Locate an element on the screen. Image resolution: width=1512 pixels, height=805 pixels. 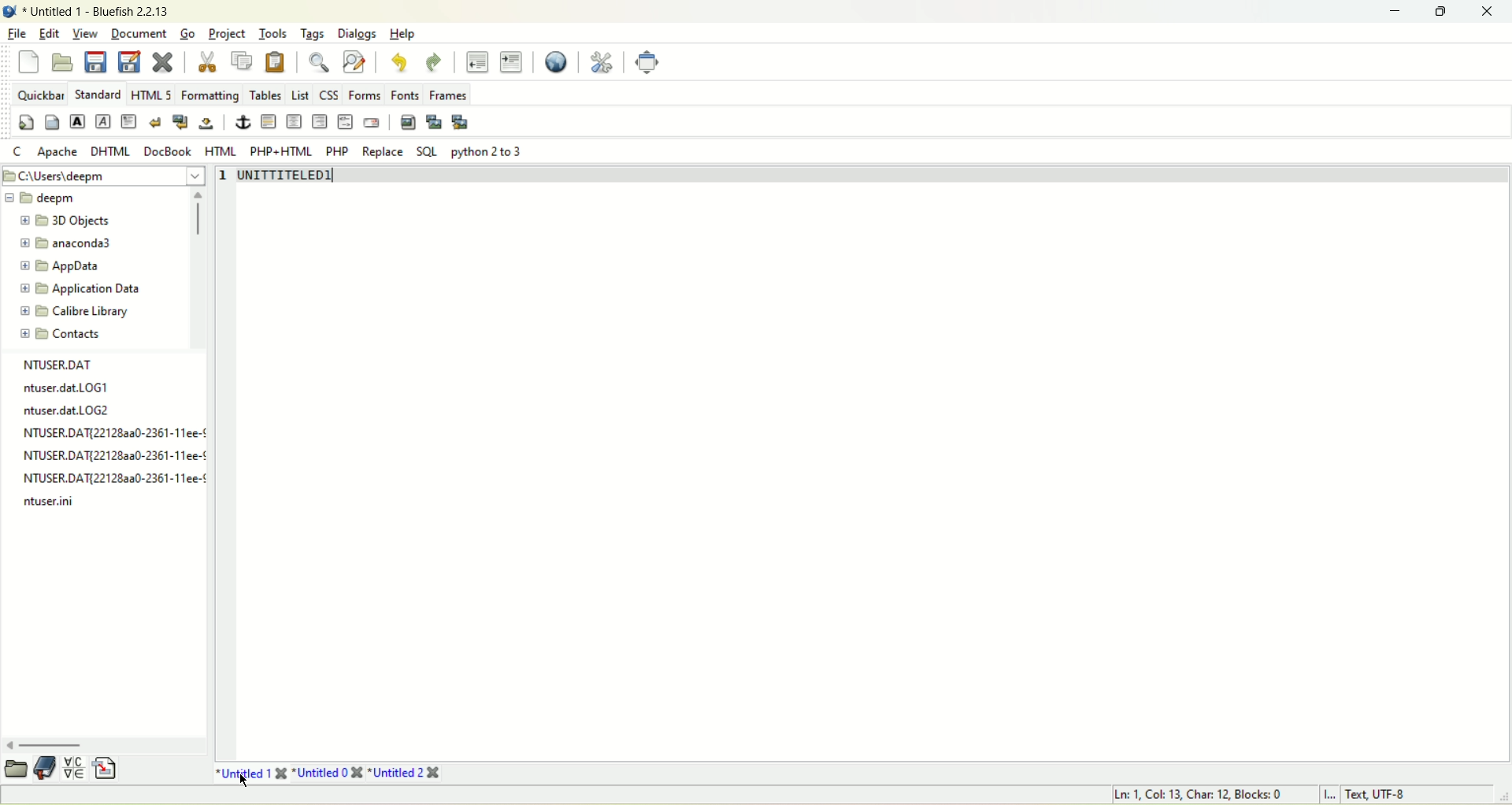
Strong is located at coordinates (76, 120).